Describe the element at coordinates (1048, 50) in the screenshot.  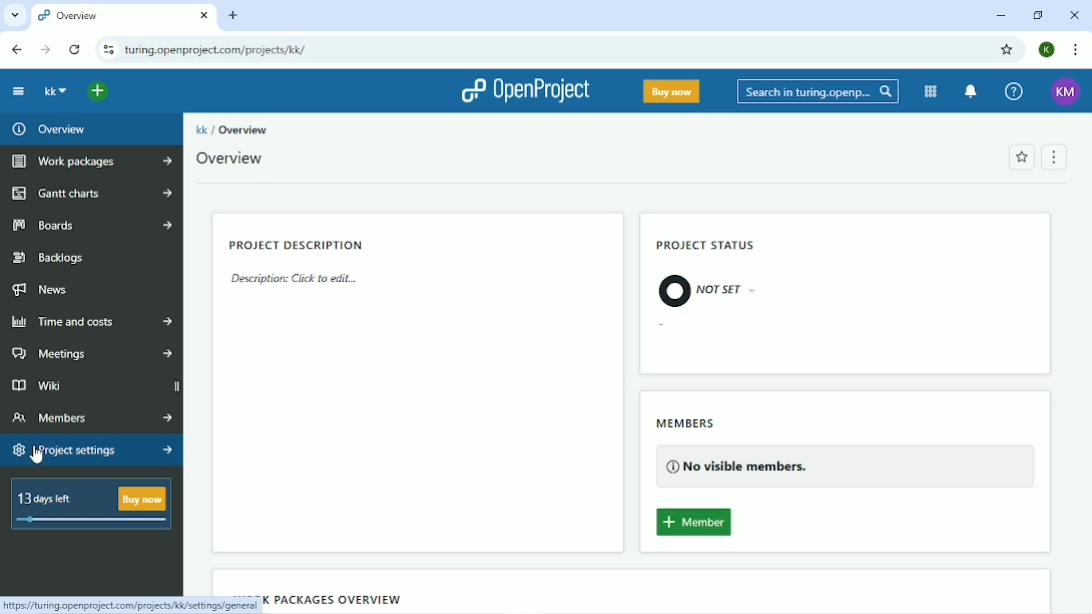
I see `K` at that location.